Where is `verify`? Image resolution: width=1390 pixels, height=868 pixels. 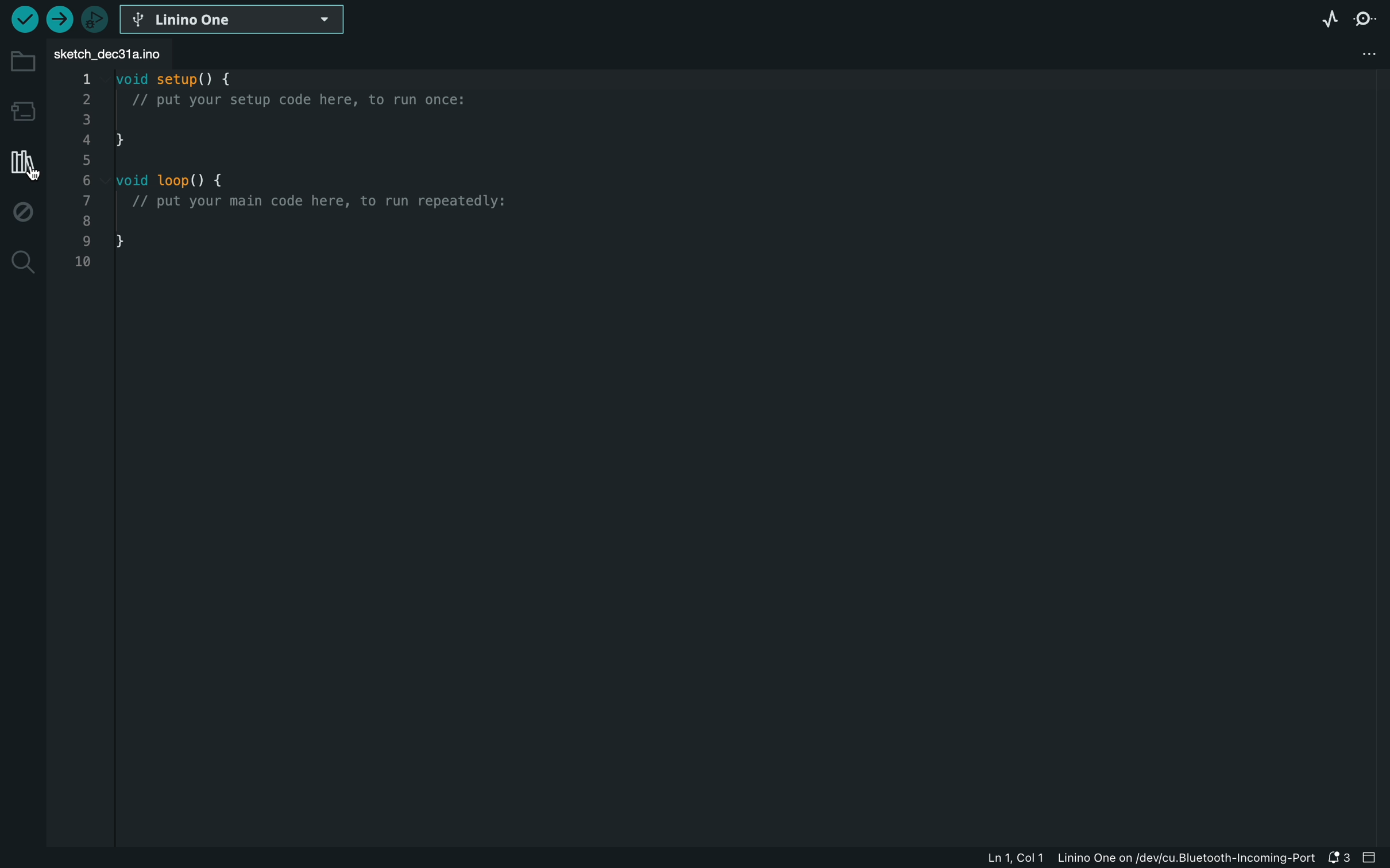 verify is located at coordinates (25, 19).